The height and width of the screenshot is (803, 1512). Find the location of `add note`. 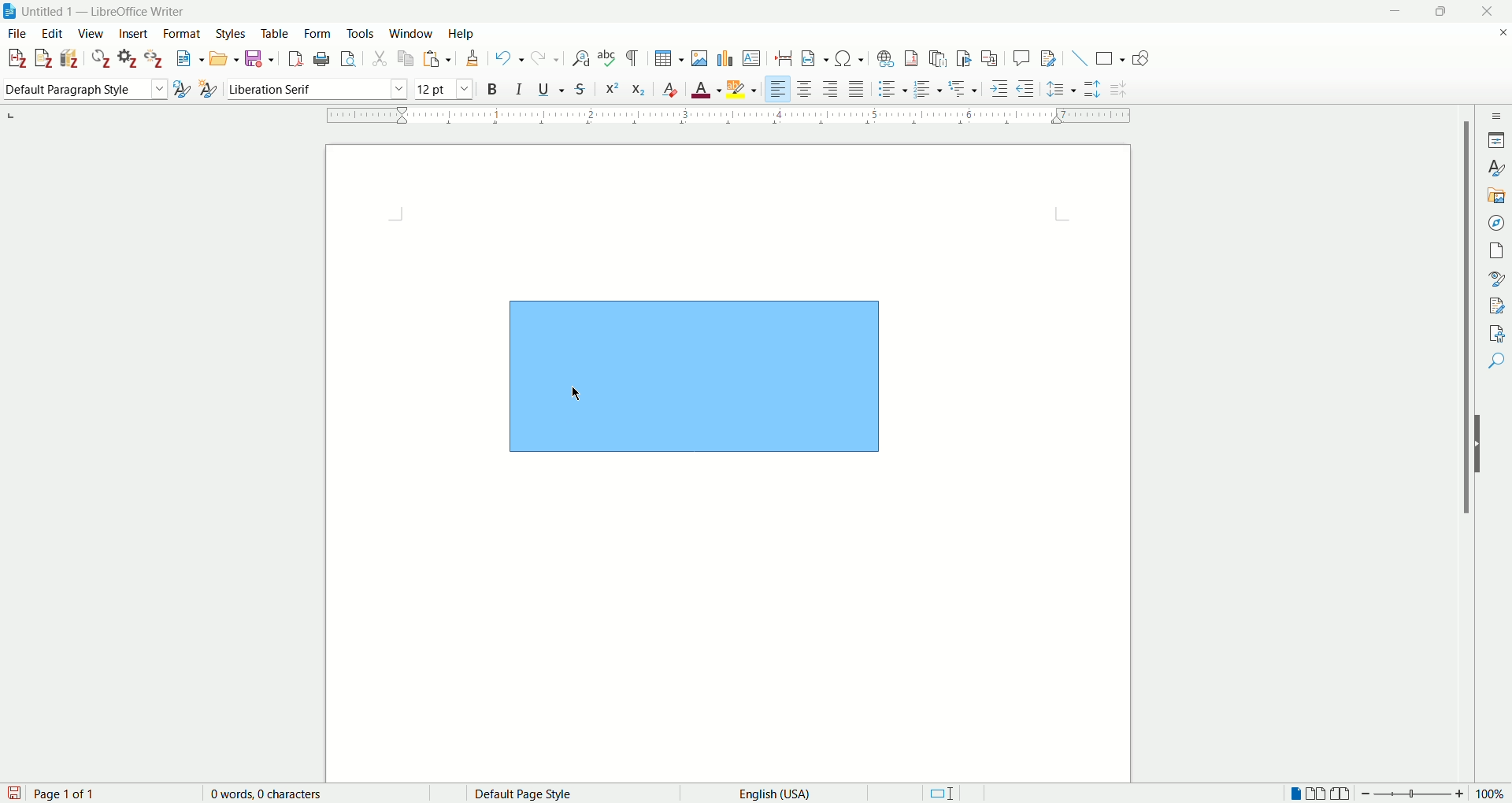

add note is located at coordinates (44, 58).